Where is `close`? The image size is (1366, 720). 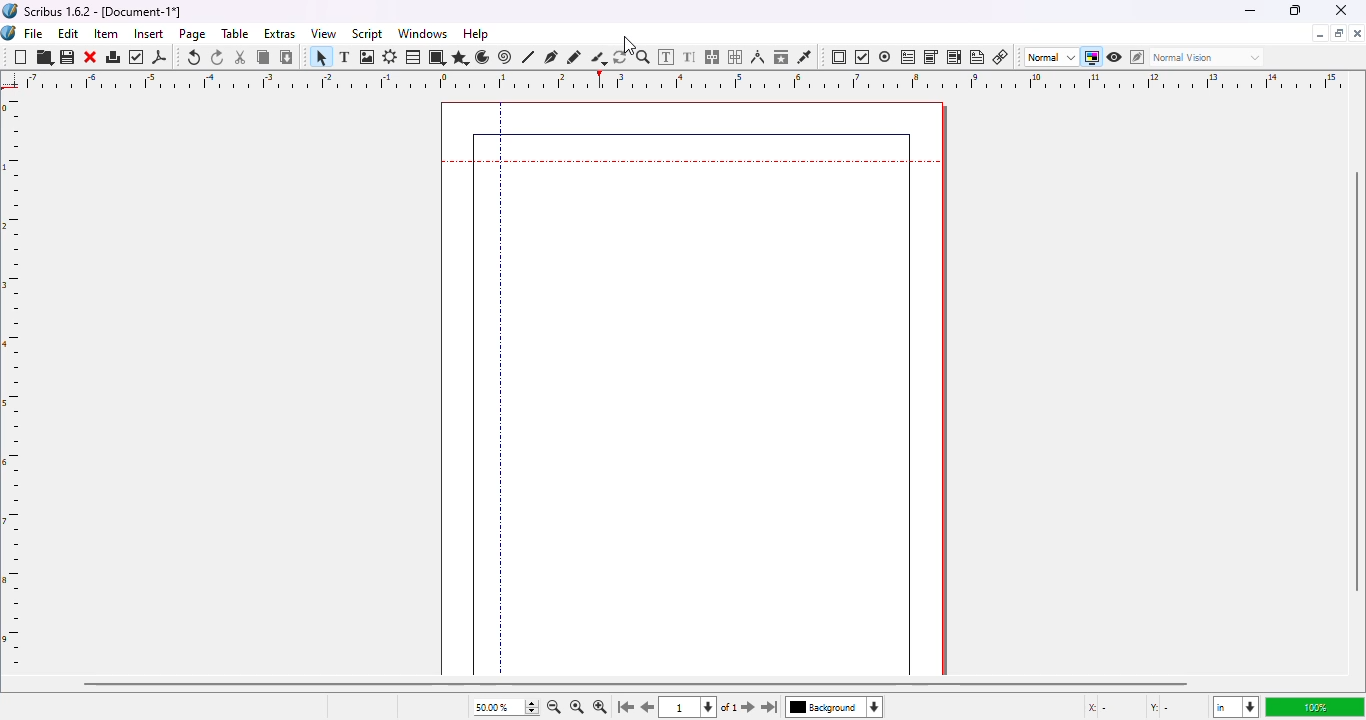 close is located at coordinates (91, 57).